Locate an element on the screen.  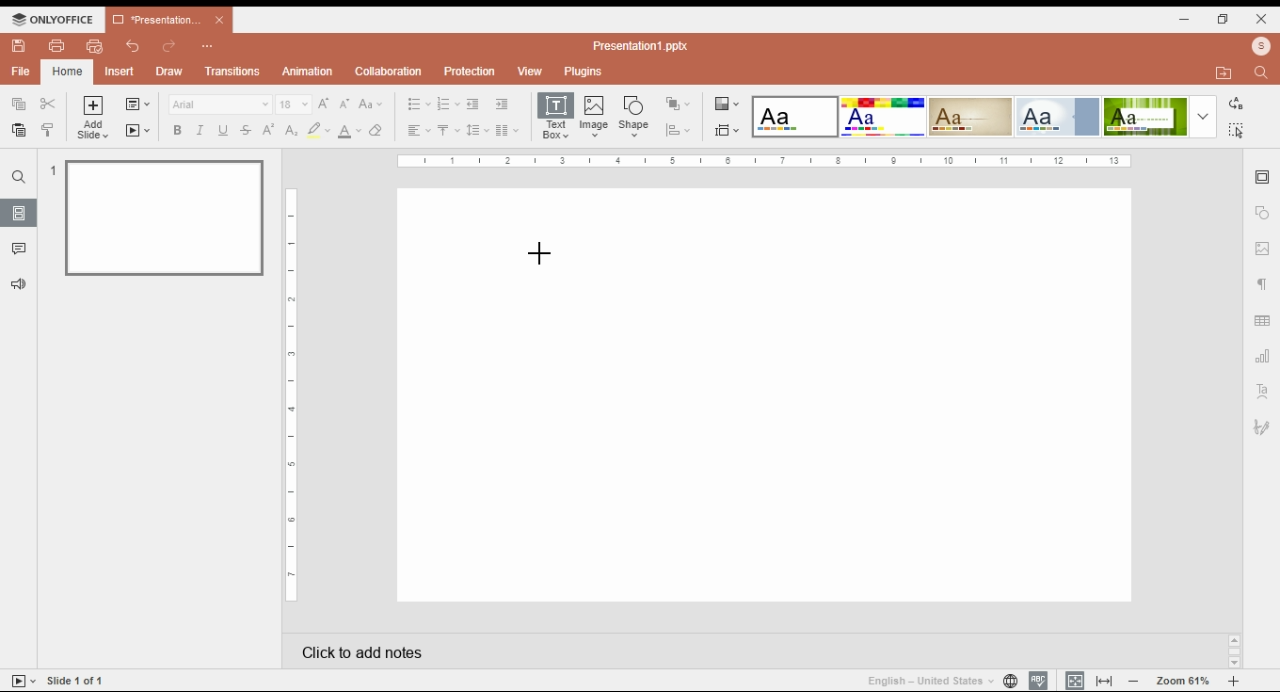
shape settings is located at coordinates (1262, 213).